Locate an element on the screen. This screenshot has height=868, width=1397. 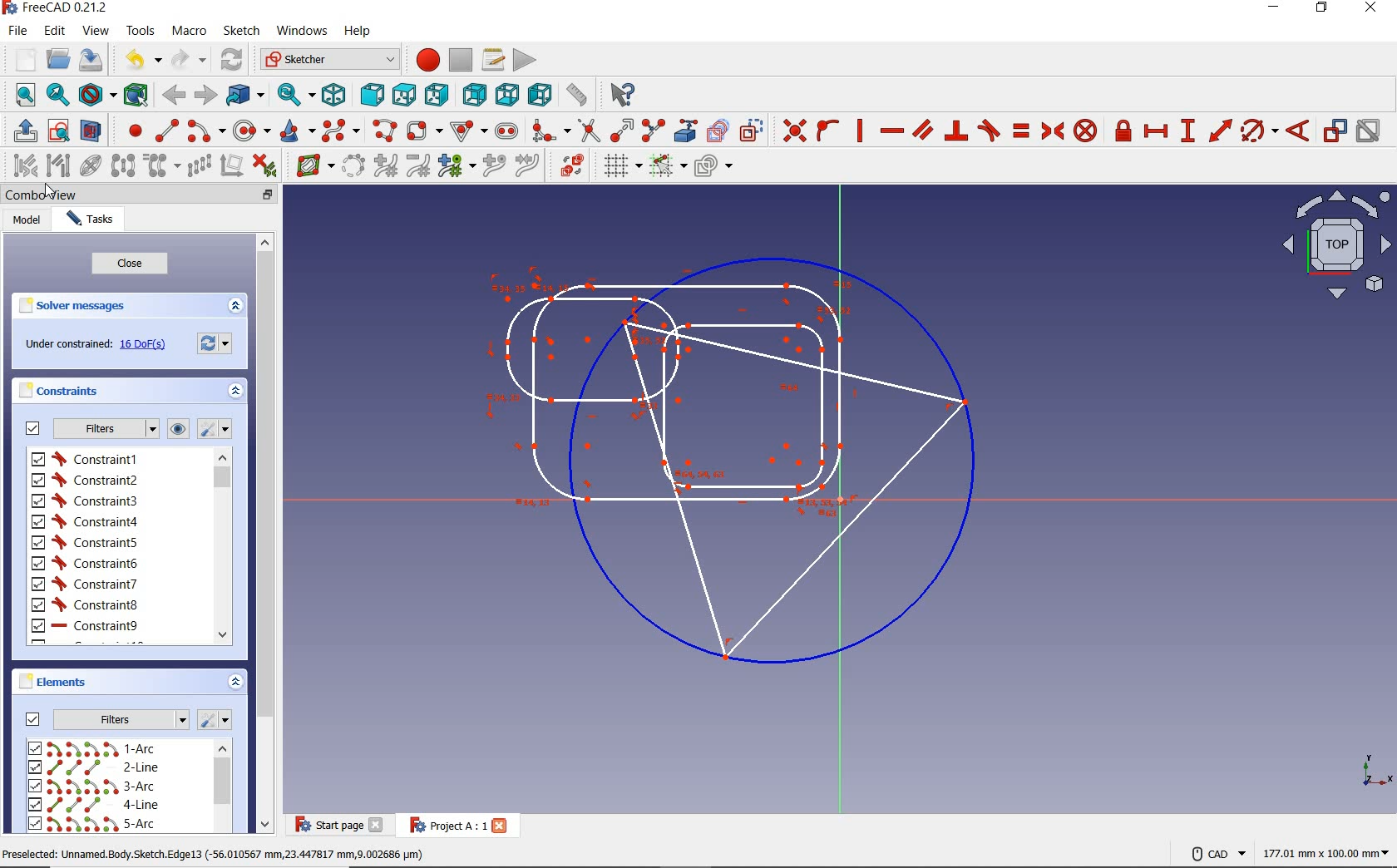
create regular polygon is located at coordinates (467, 128).